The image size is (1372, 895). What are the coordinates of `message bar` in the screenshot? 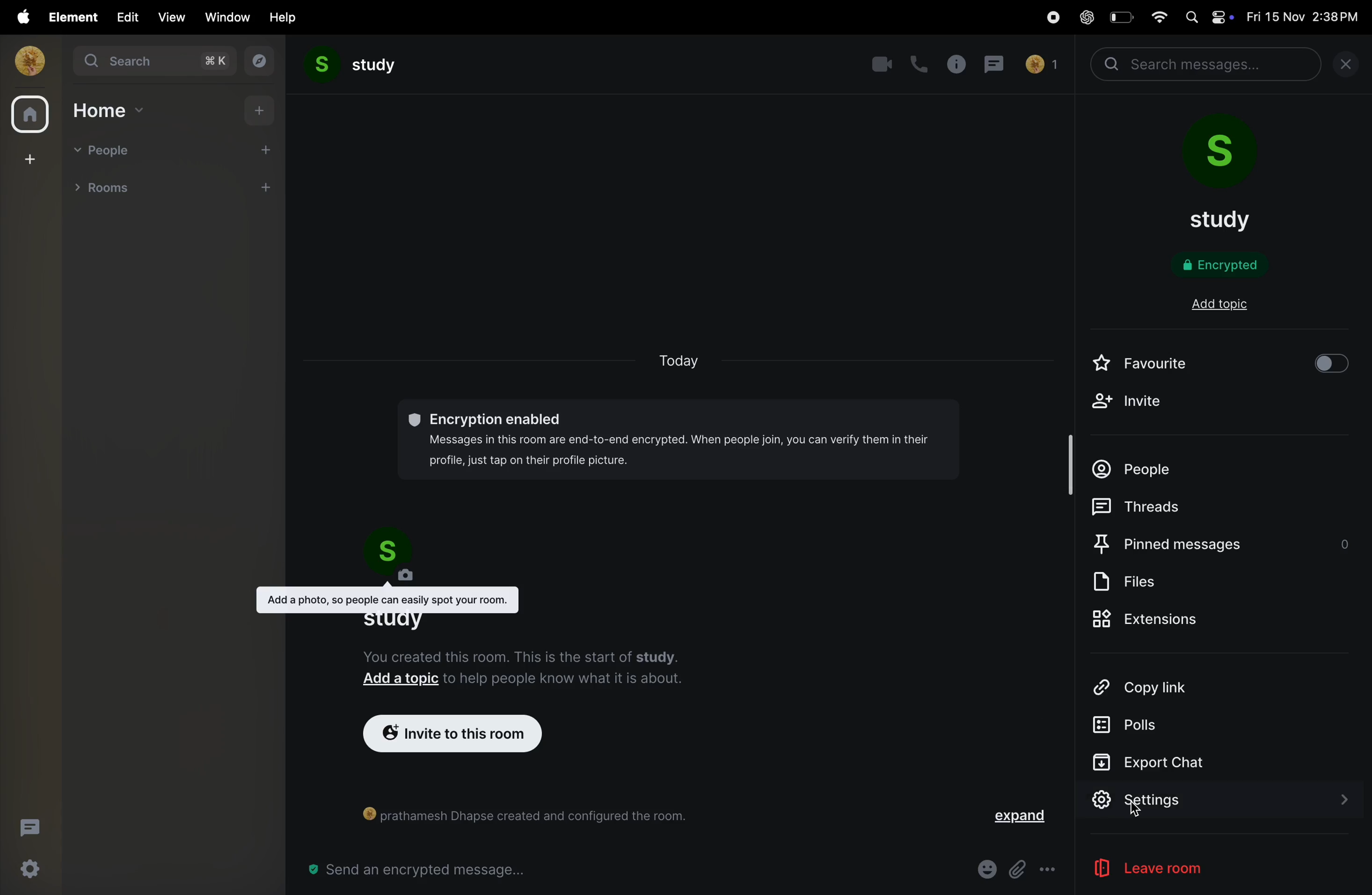 It's located at (423, 871).